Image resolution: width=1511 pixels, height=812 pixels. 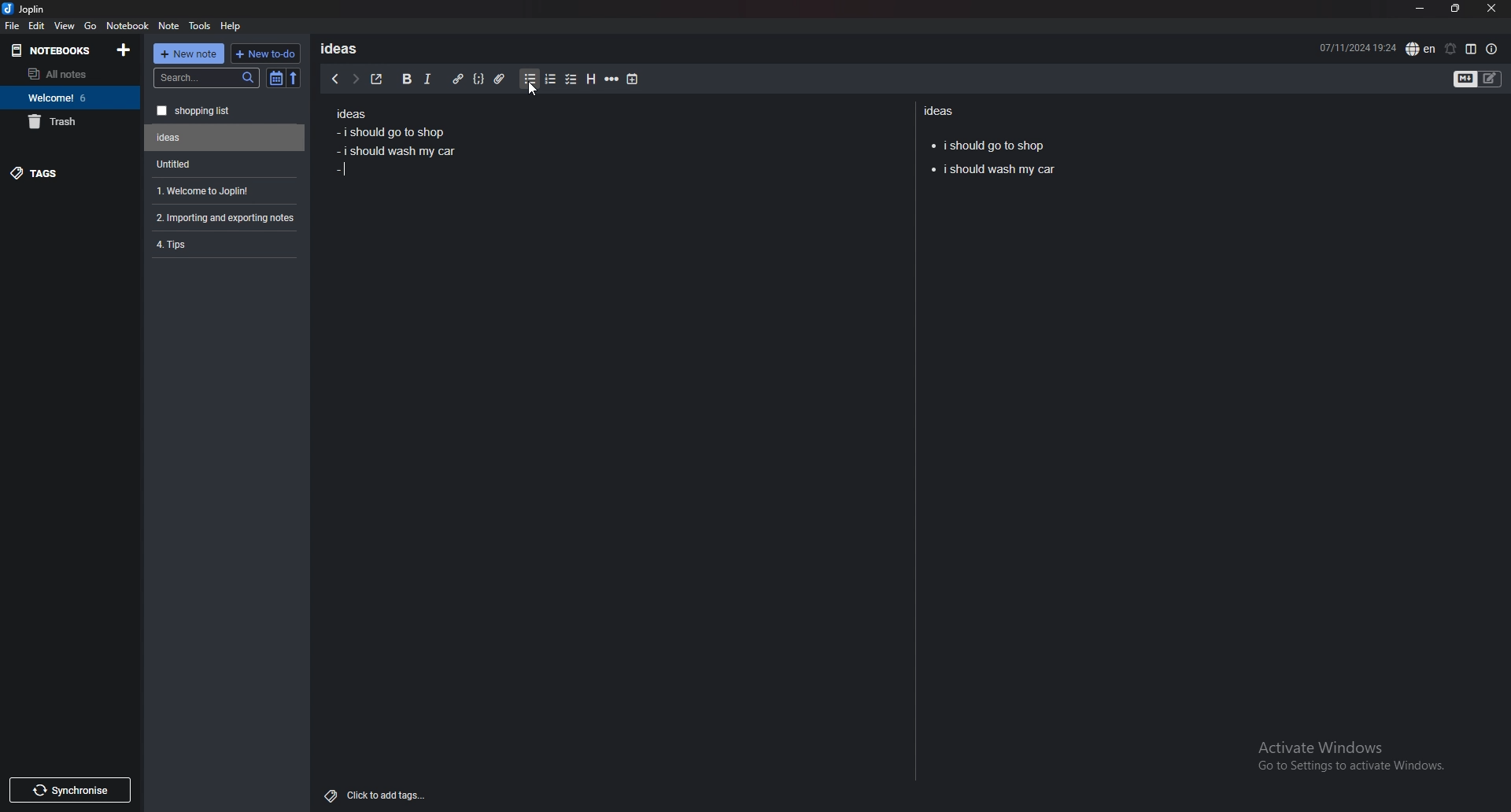 I want to click on i should go to shop, so click(x=988, y=143).